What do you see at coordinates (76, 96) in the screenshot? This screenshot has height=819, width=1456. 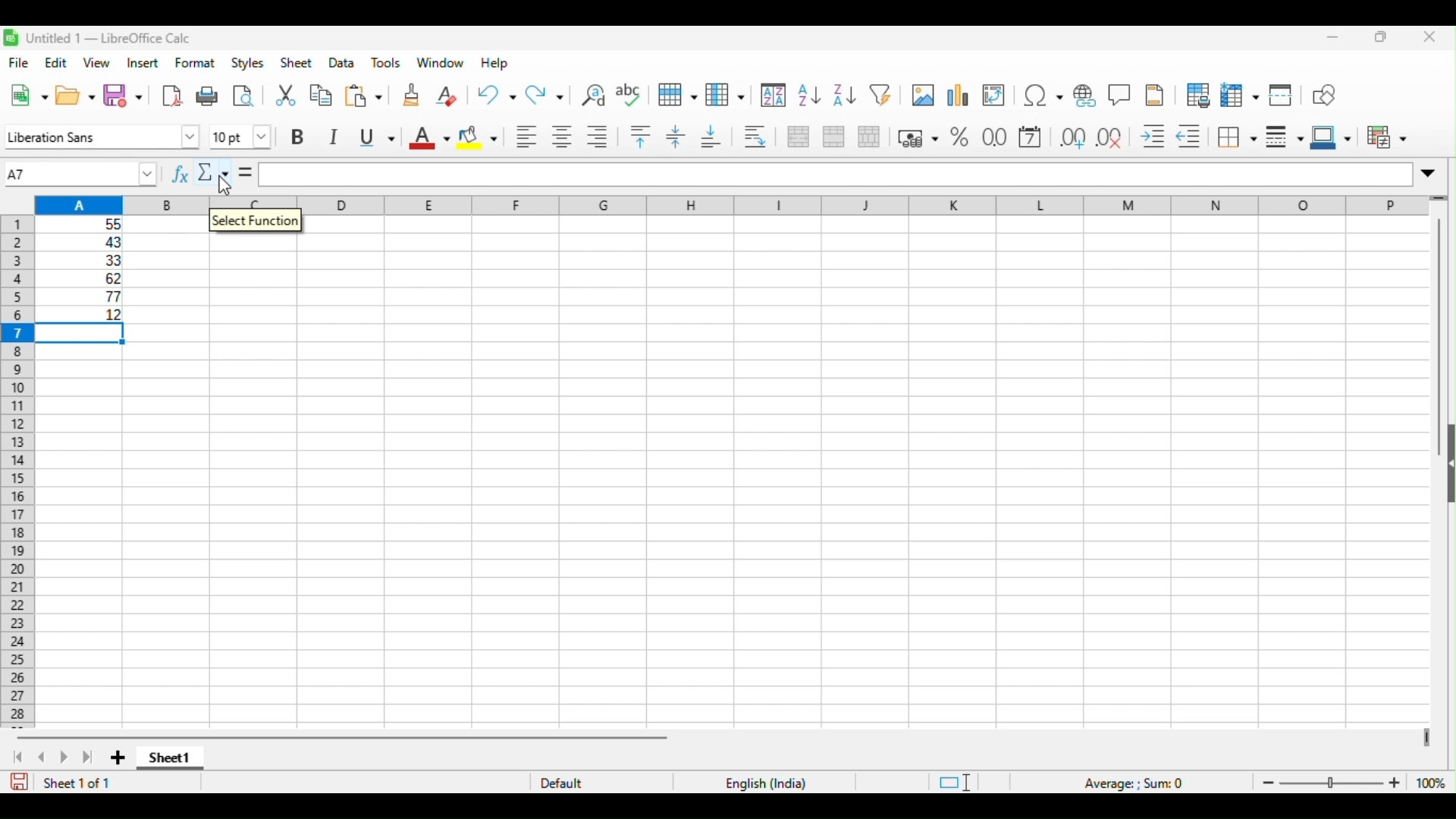 I see `open` at bounding box center [76, 96].